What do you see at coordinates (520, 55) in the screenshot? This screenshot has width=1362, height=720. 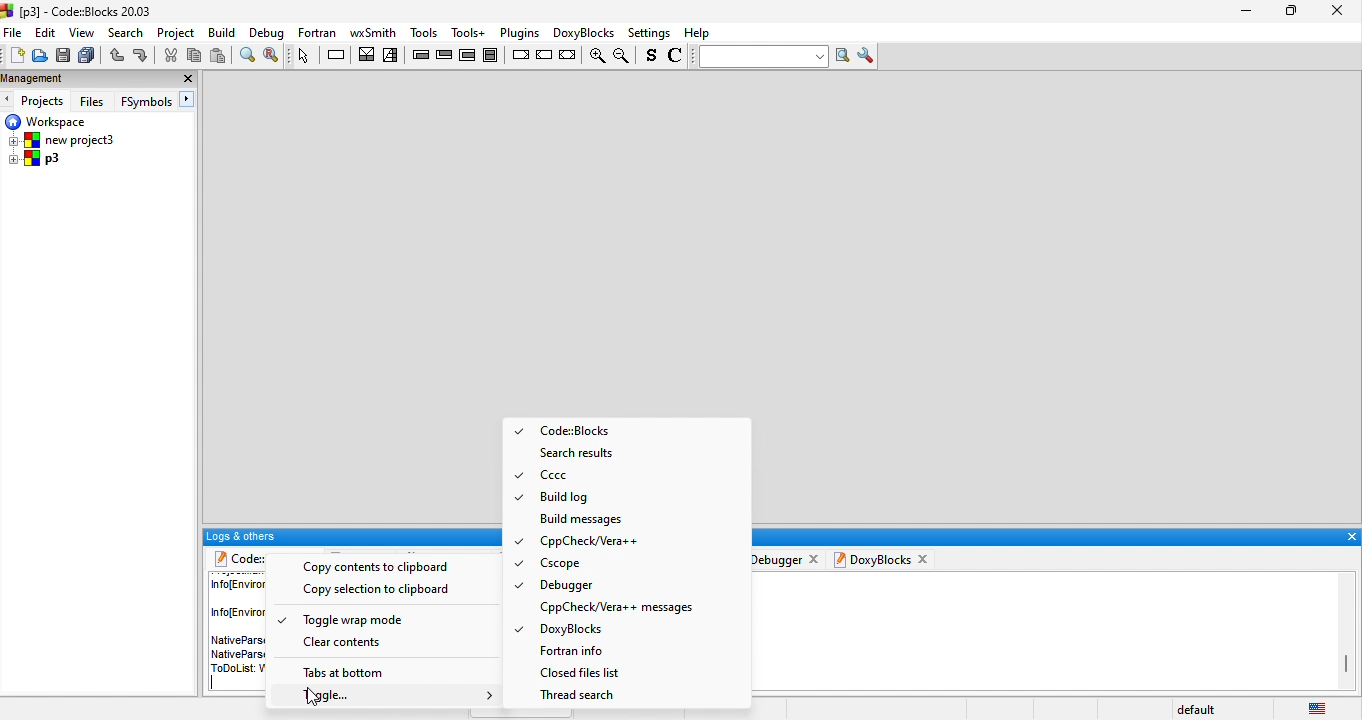 I see `break instruction` at bounding box center [520, 55].